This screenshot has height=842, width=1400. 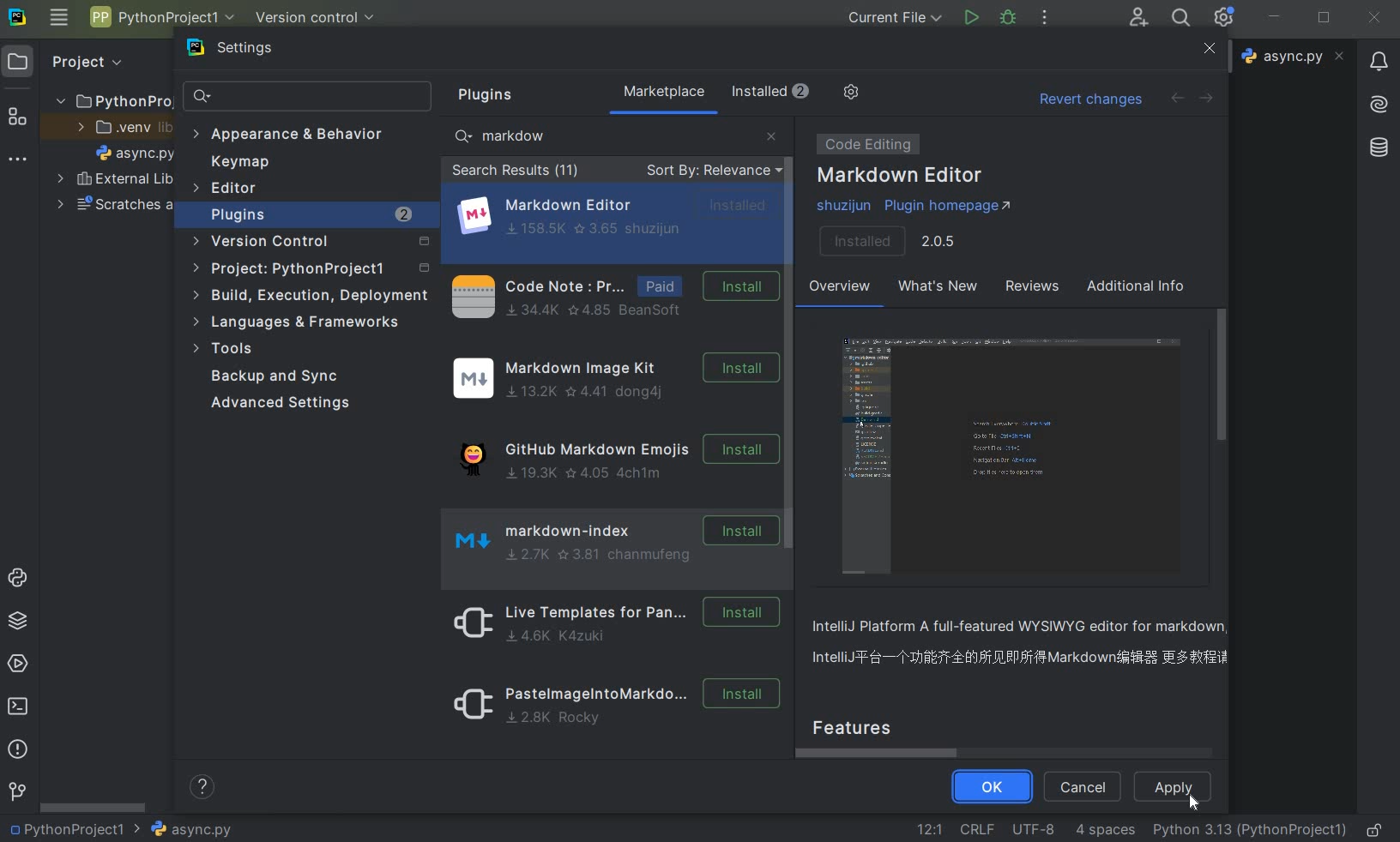 What do you see at coordinates (115, 178) in the screenshot?
I see `external libraries` at bounding box center [115, 178].